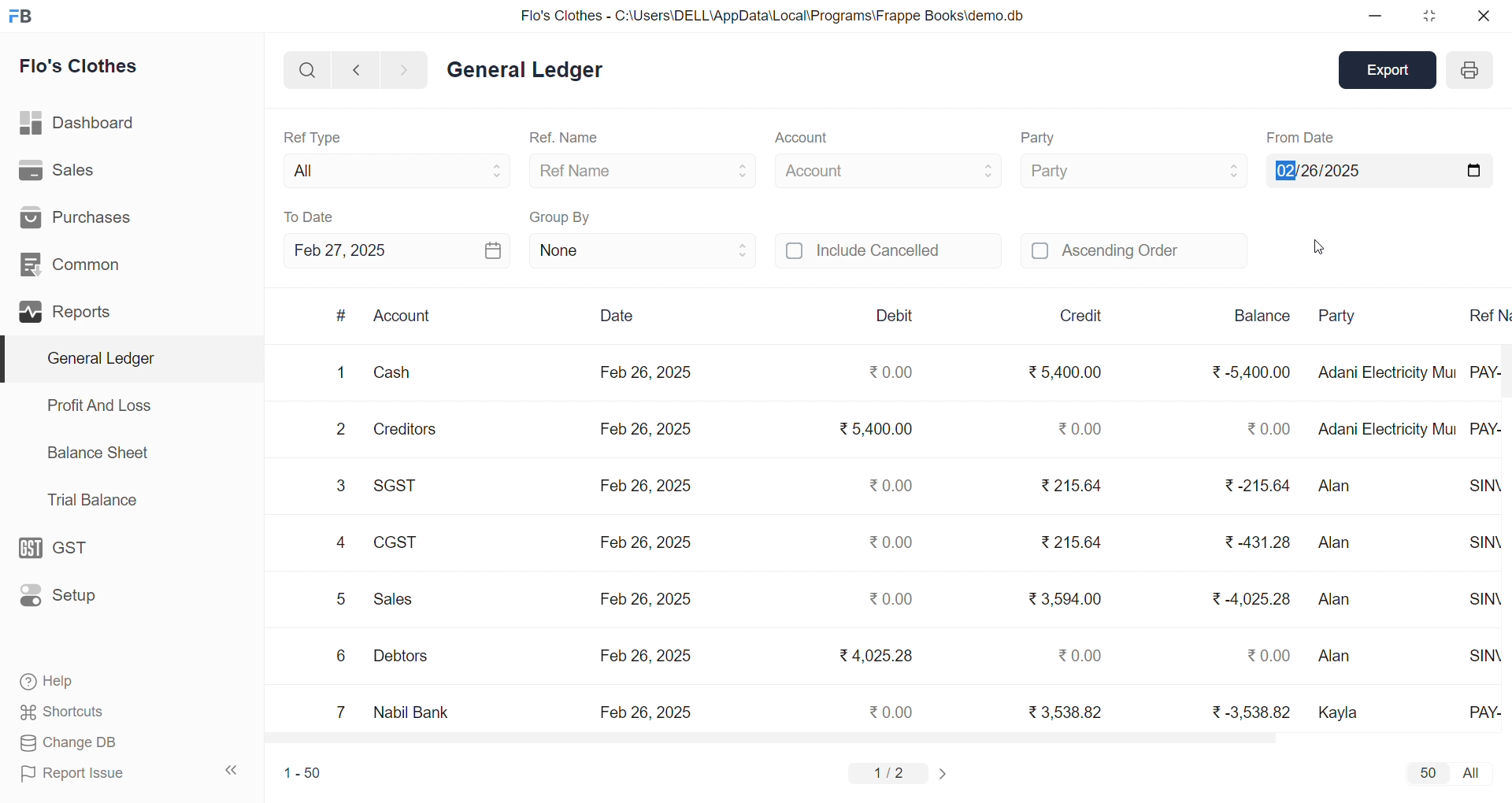 The height and width of the screenshot is (803, 1512). What do you see at coordinates (68, 309) in the screenshot?
I see `Reports` at bounding box center [68, 309].